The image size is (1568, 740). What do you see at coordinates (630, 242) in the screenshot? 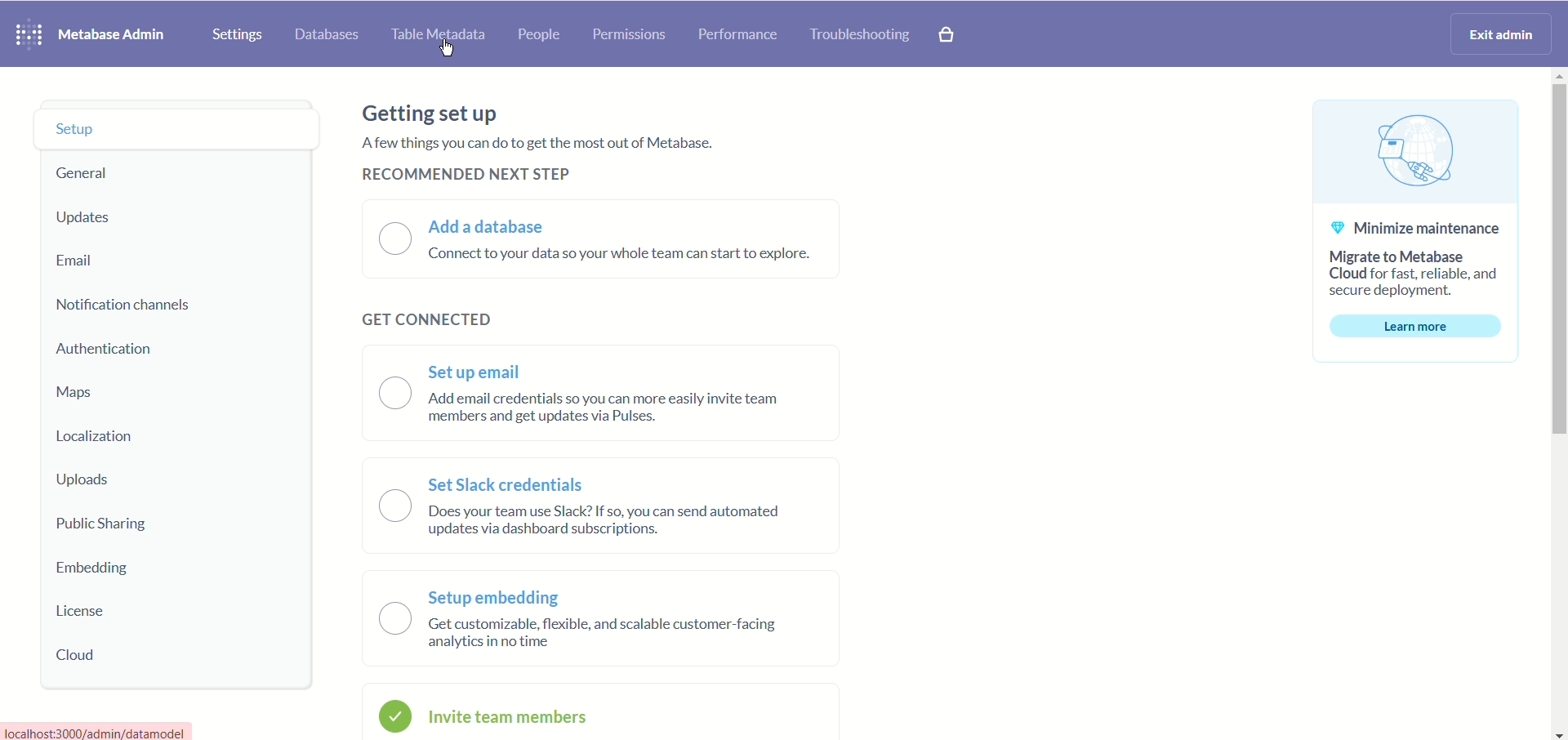
I see `\ Add a database
/" Connect to your data so your whole team can start to explore.` at bounding box center [630, 242].